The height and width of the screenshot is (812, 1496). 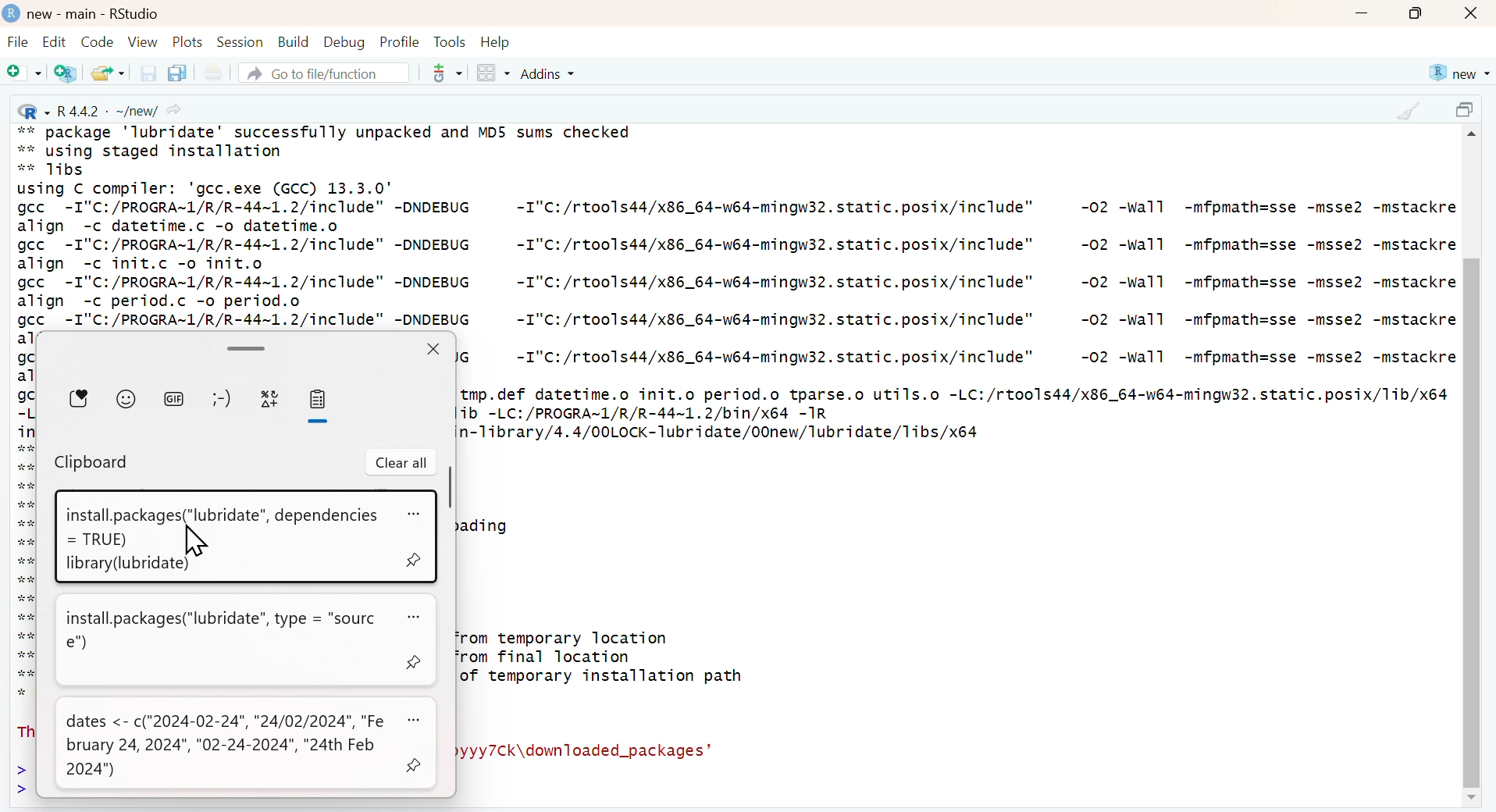 I want to click on pin, so click(x=416, y=560).